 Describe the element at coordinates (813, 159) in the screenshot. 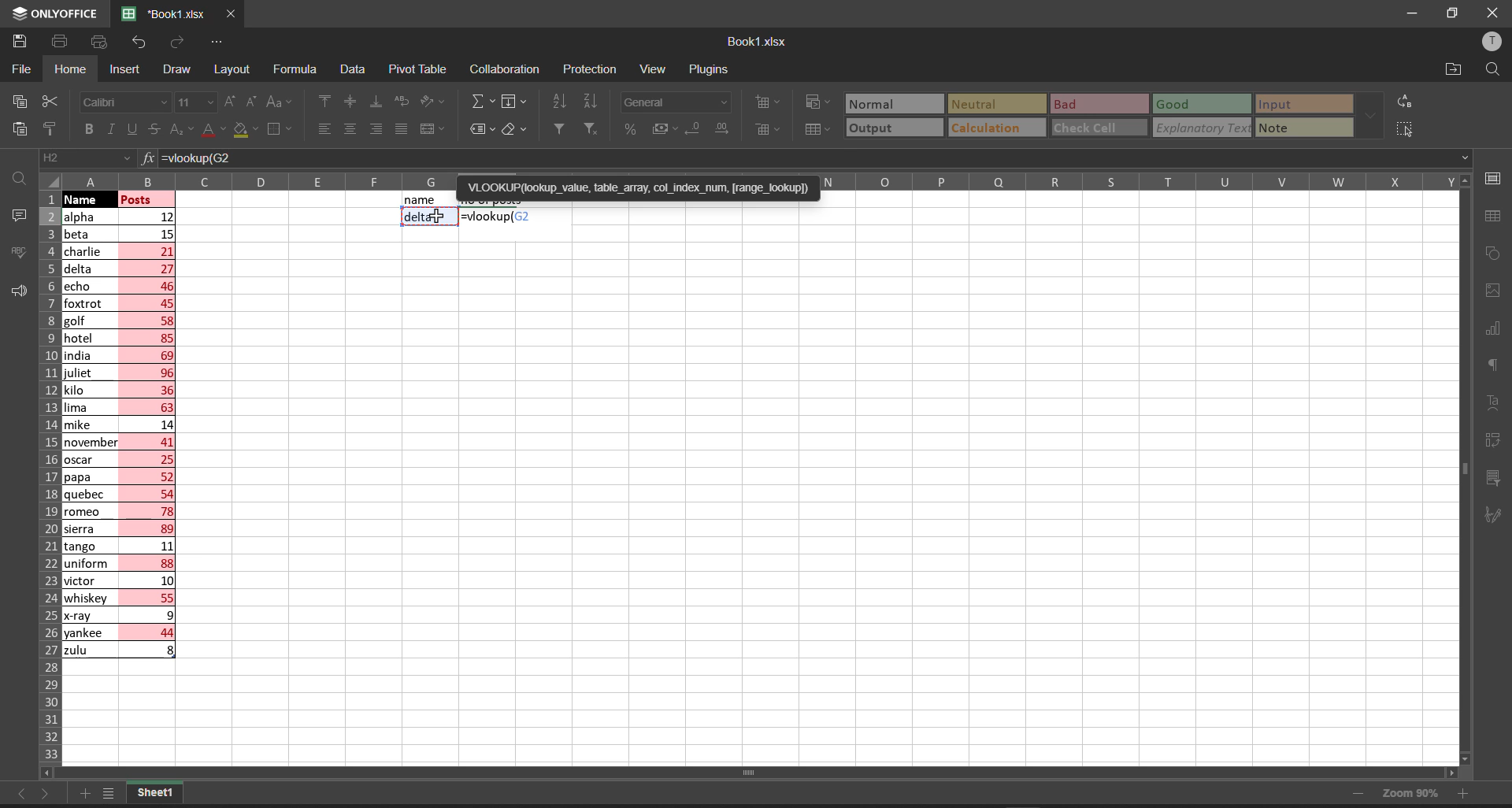

I see `=vlookup(G2` at that location.